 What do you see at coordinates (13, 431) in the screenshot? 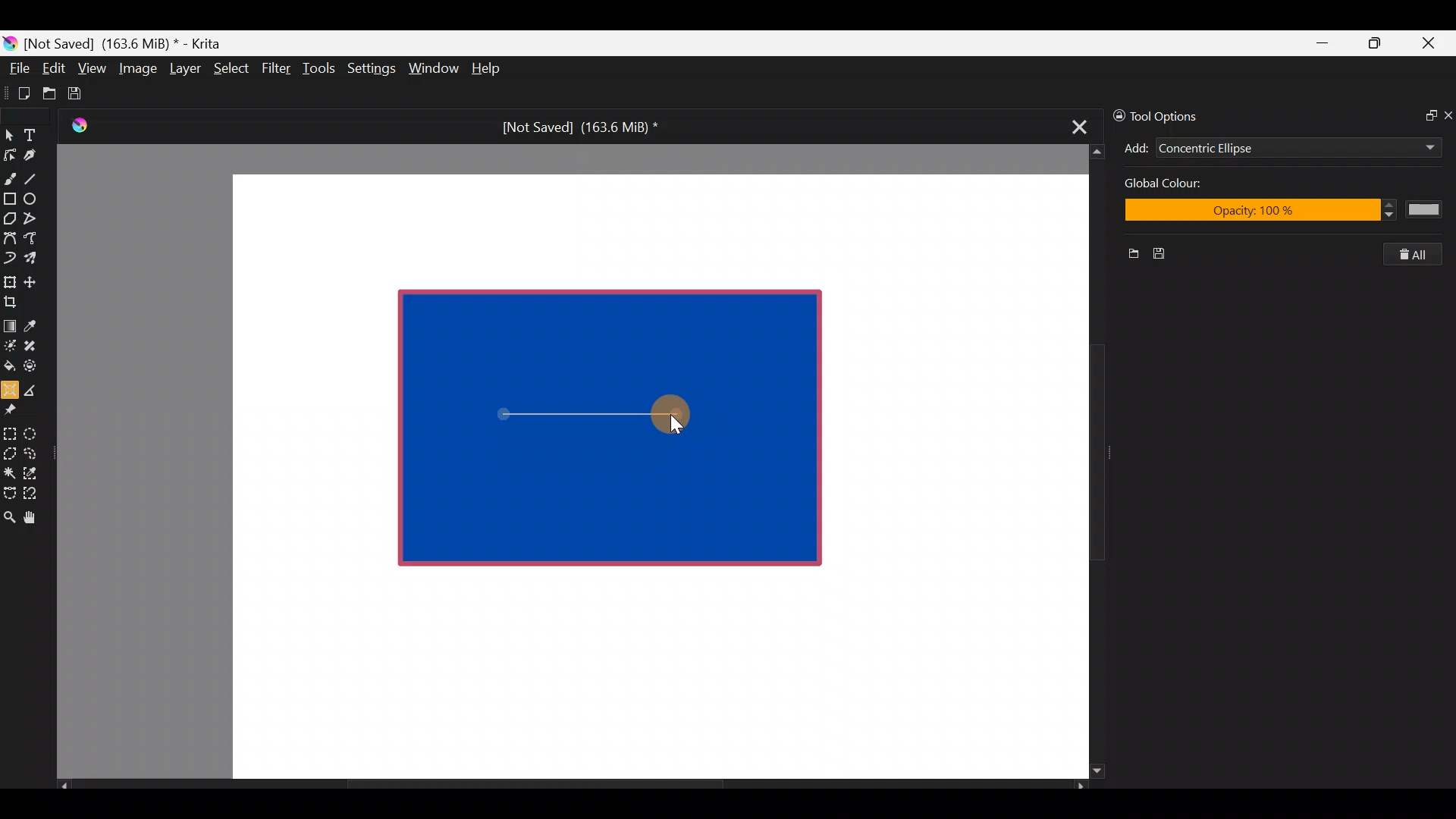
I see `Rectangular selection tool` at bounding box center [13, 431].